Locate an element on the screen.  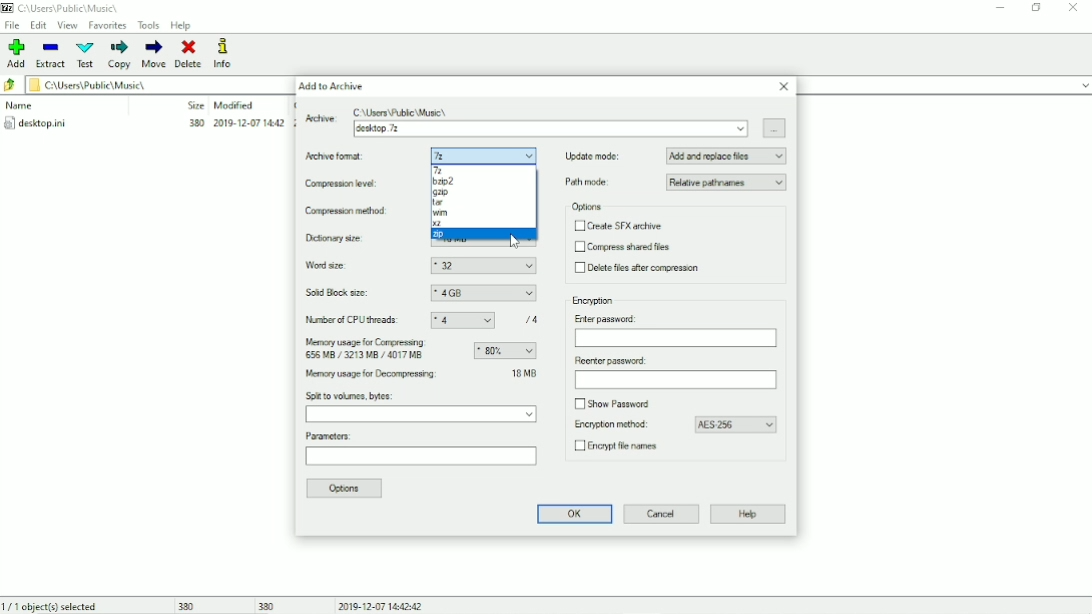
Help is located at coordinates (181, 26).